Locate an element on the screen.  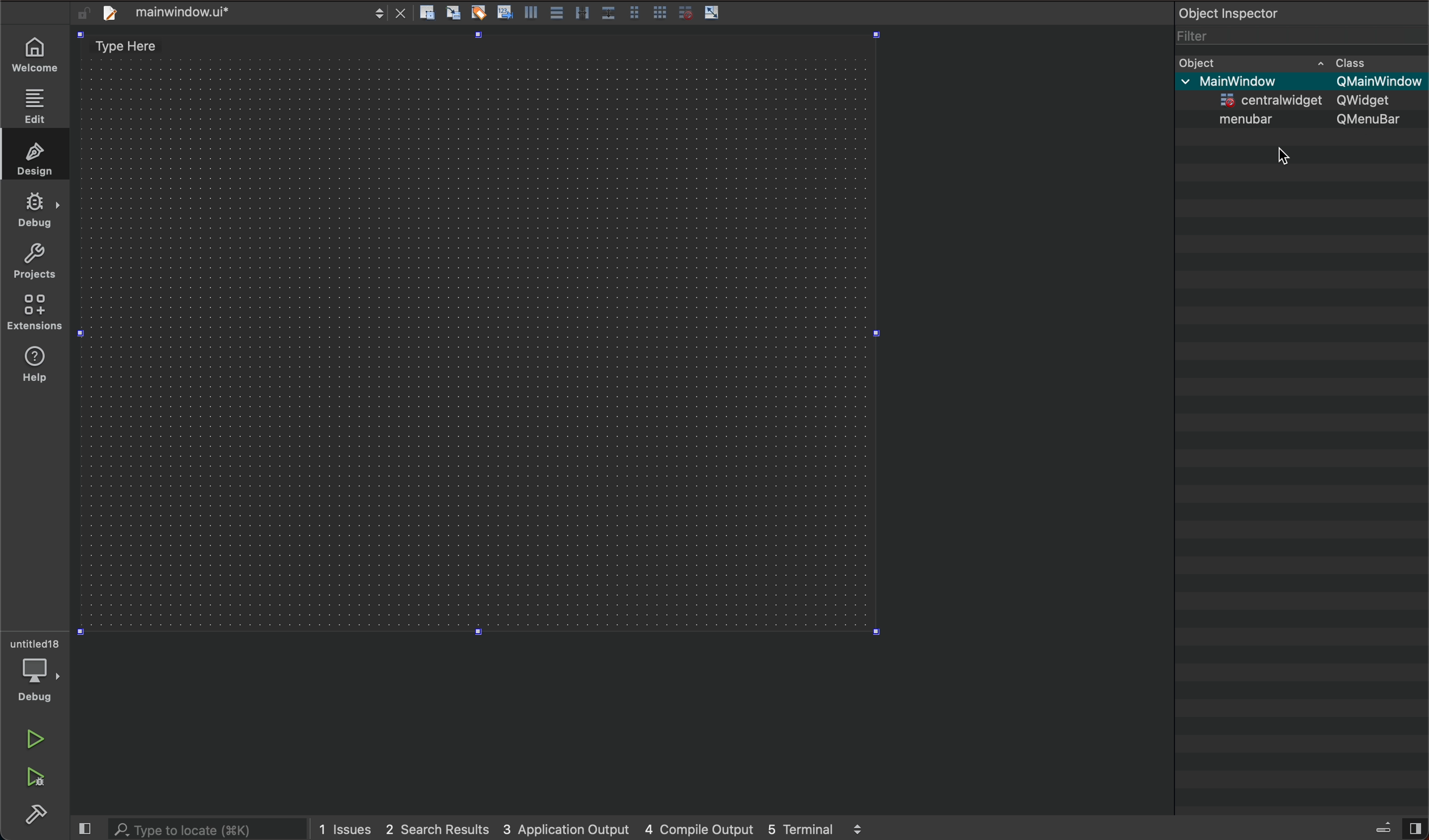
file bar is located at coordinates (193, 14).